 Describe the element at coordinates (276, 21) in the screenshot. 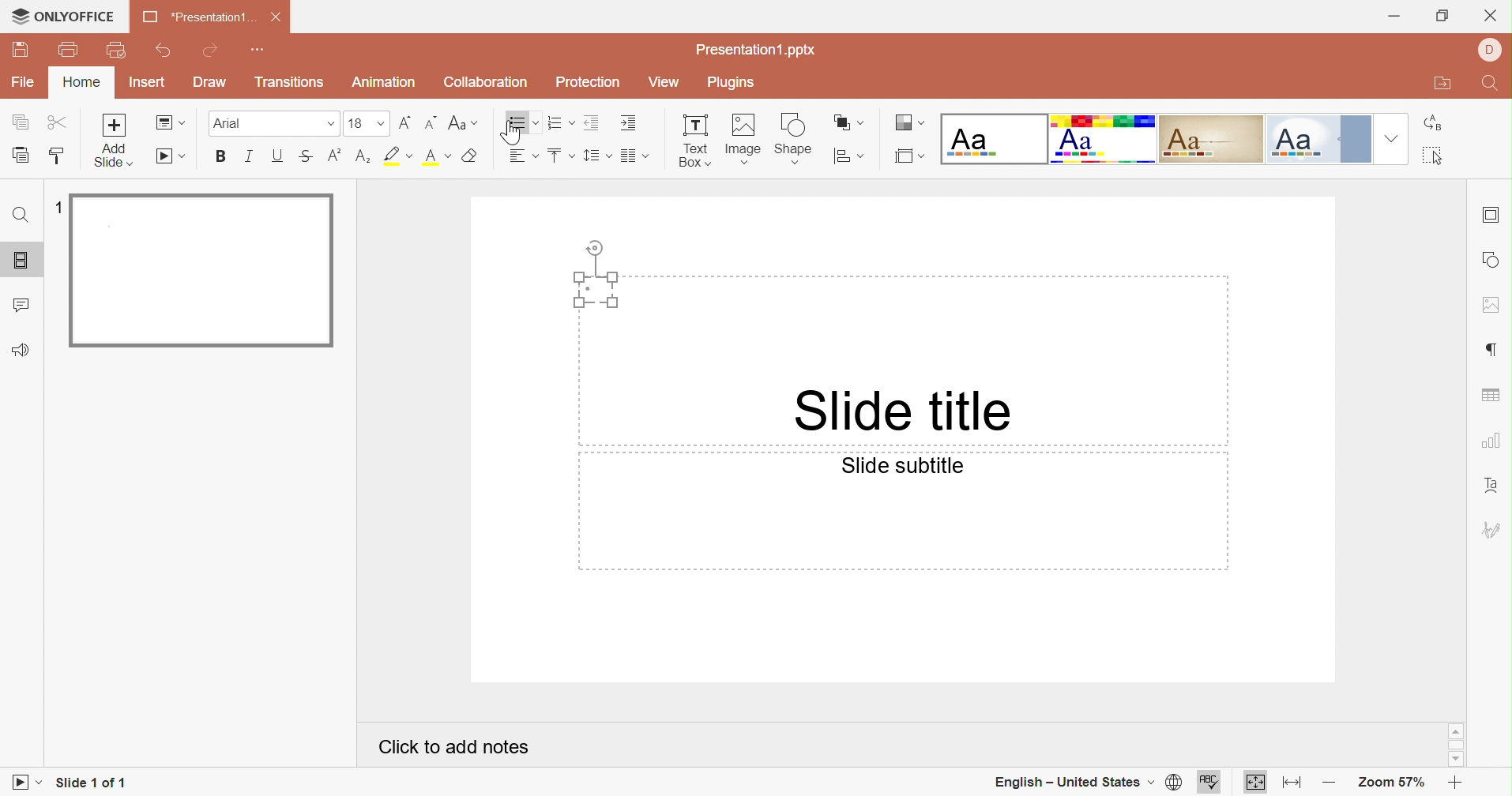

I see `Close` at that location.